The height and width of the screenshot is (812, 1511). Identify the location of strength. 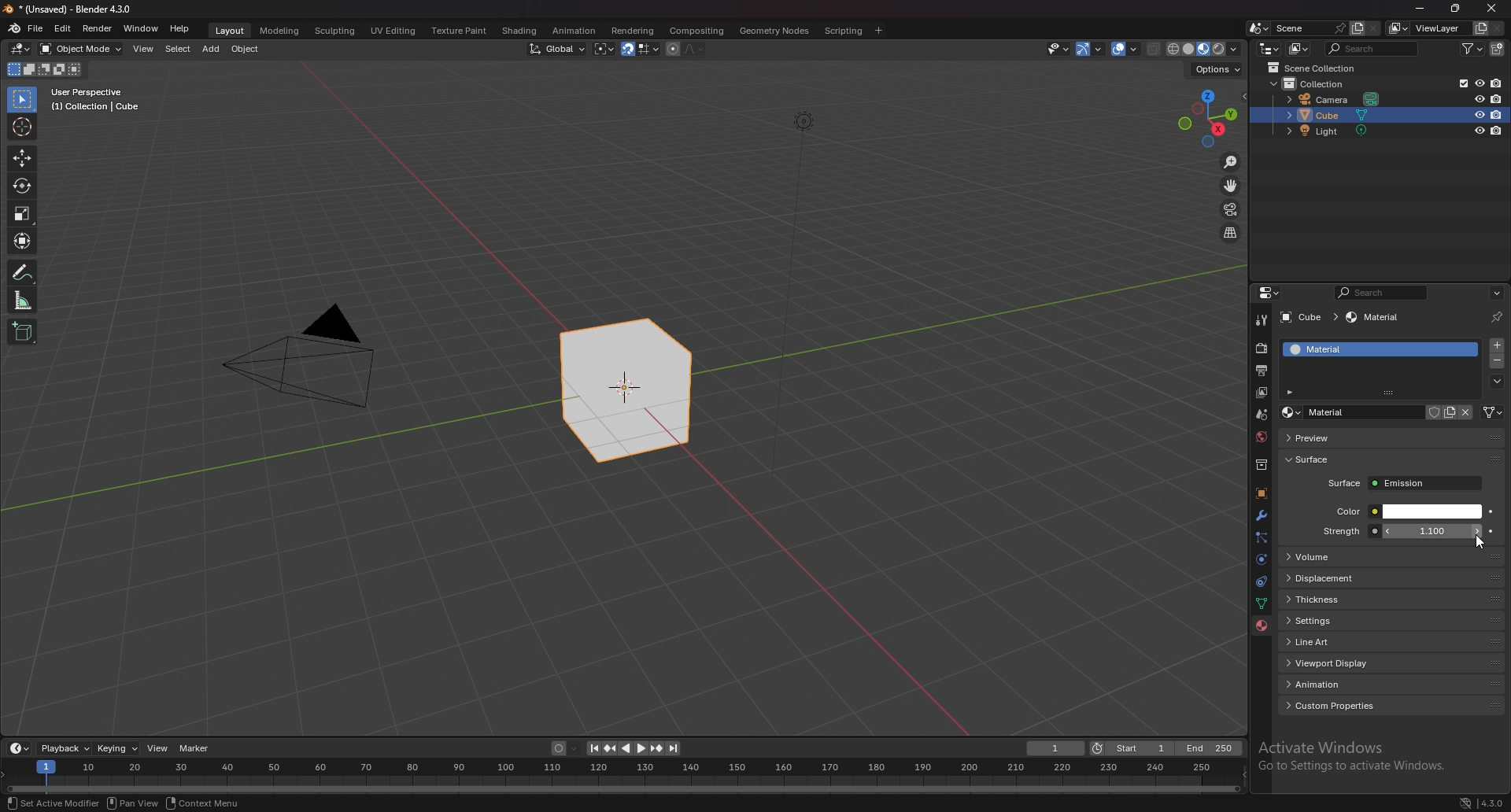
(1341, 531).